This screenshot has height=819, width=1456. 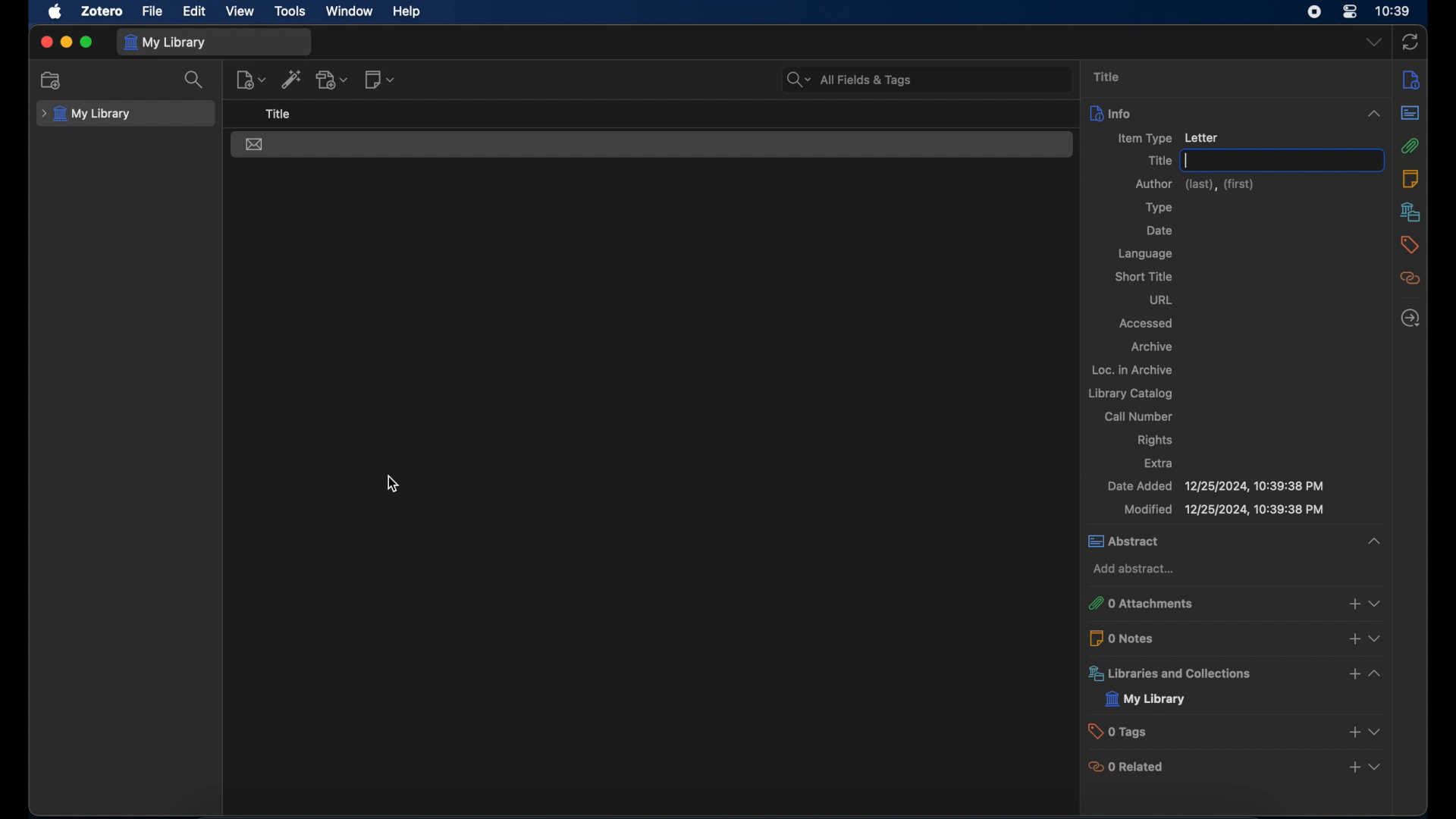 I want to click on edit, so click(x=196, y=11).